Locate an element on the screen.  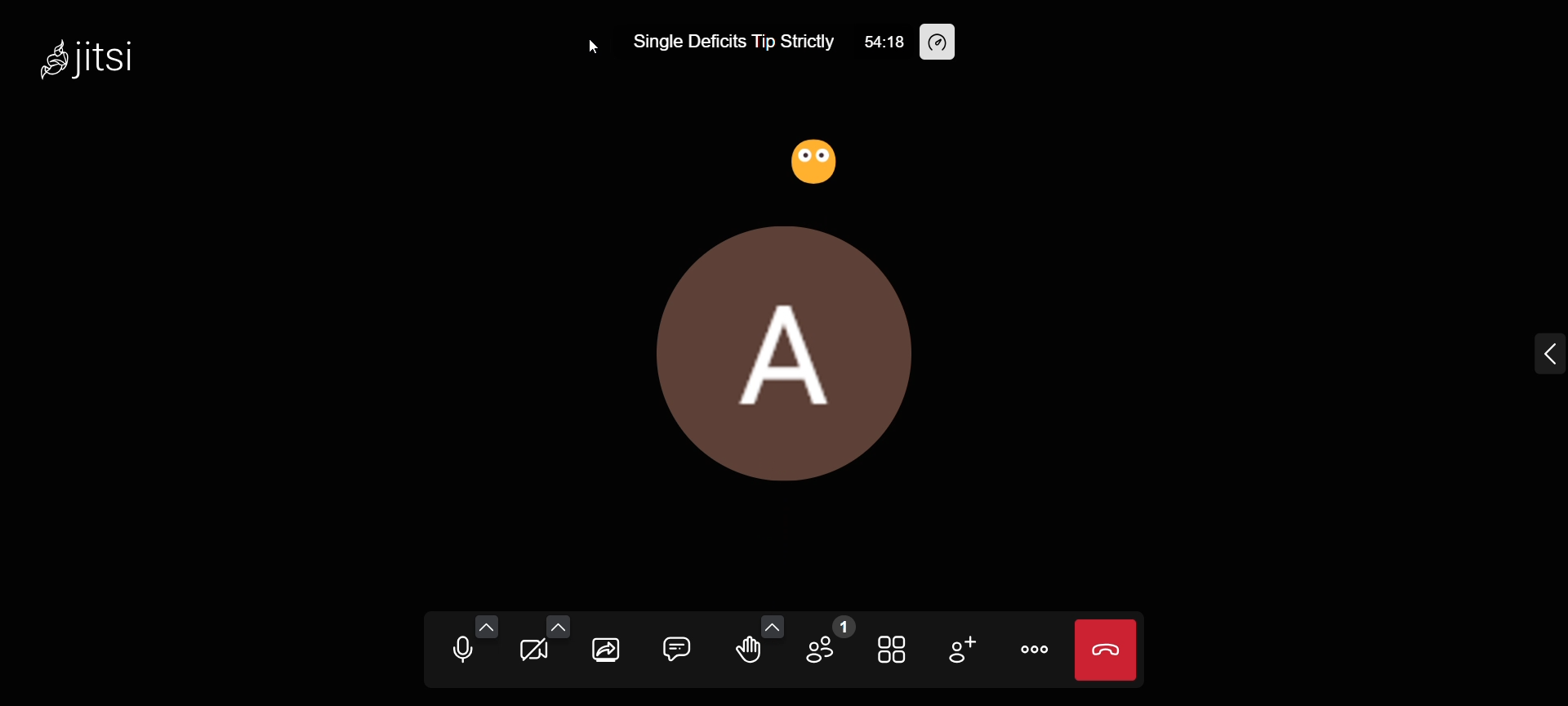
participants  is located at coordinates (827, 645).